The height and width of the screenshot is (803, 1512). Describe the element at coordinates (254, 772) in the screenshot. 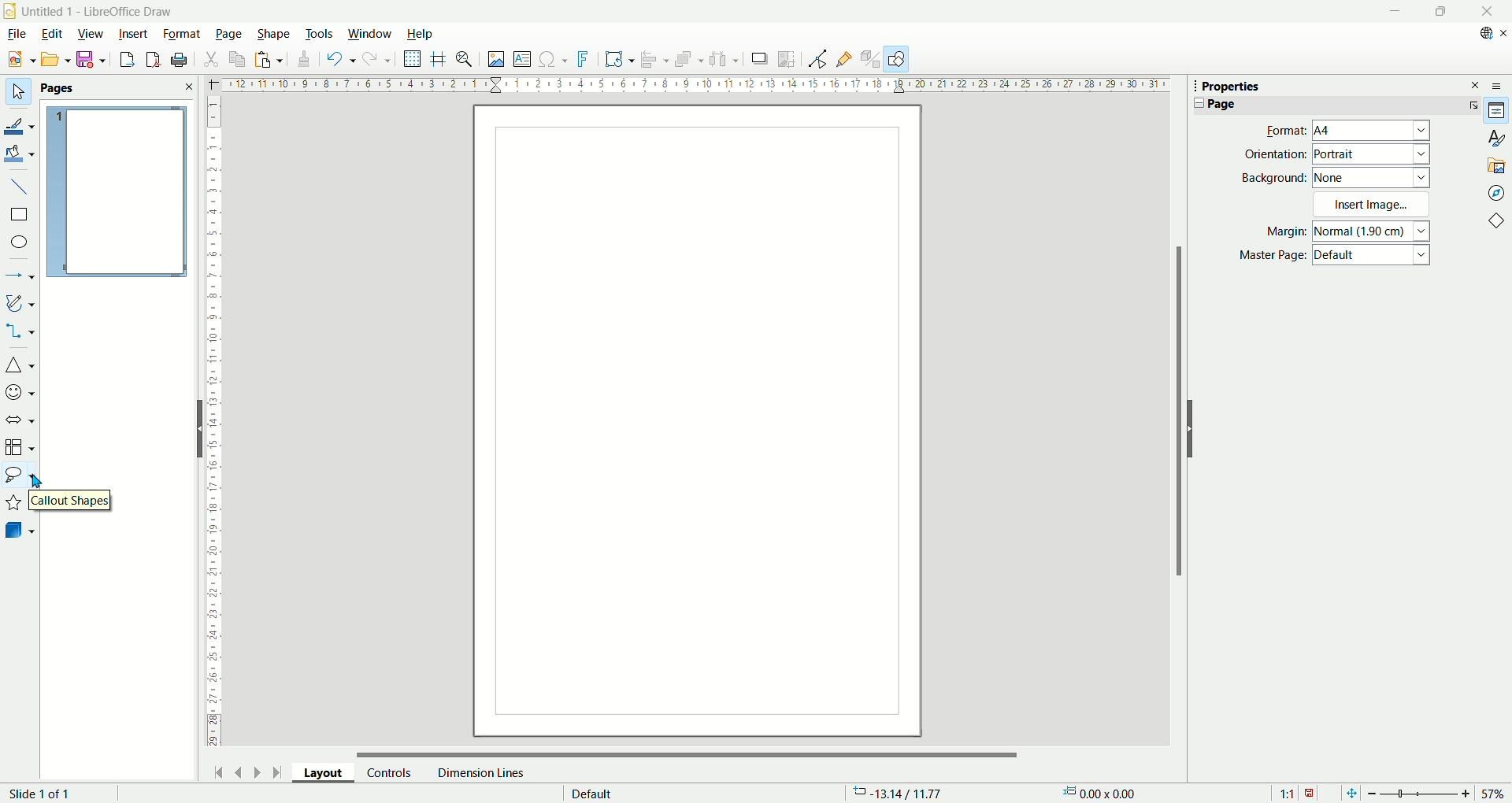

I see `next page` at that location.